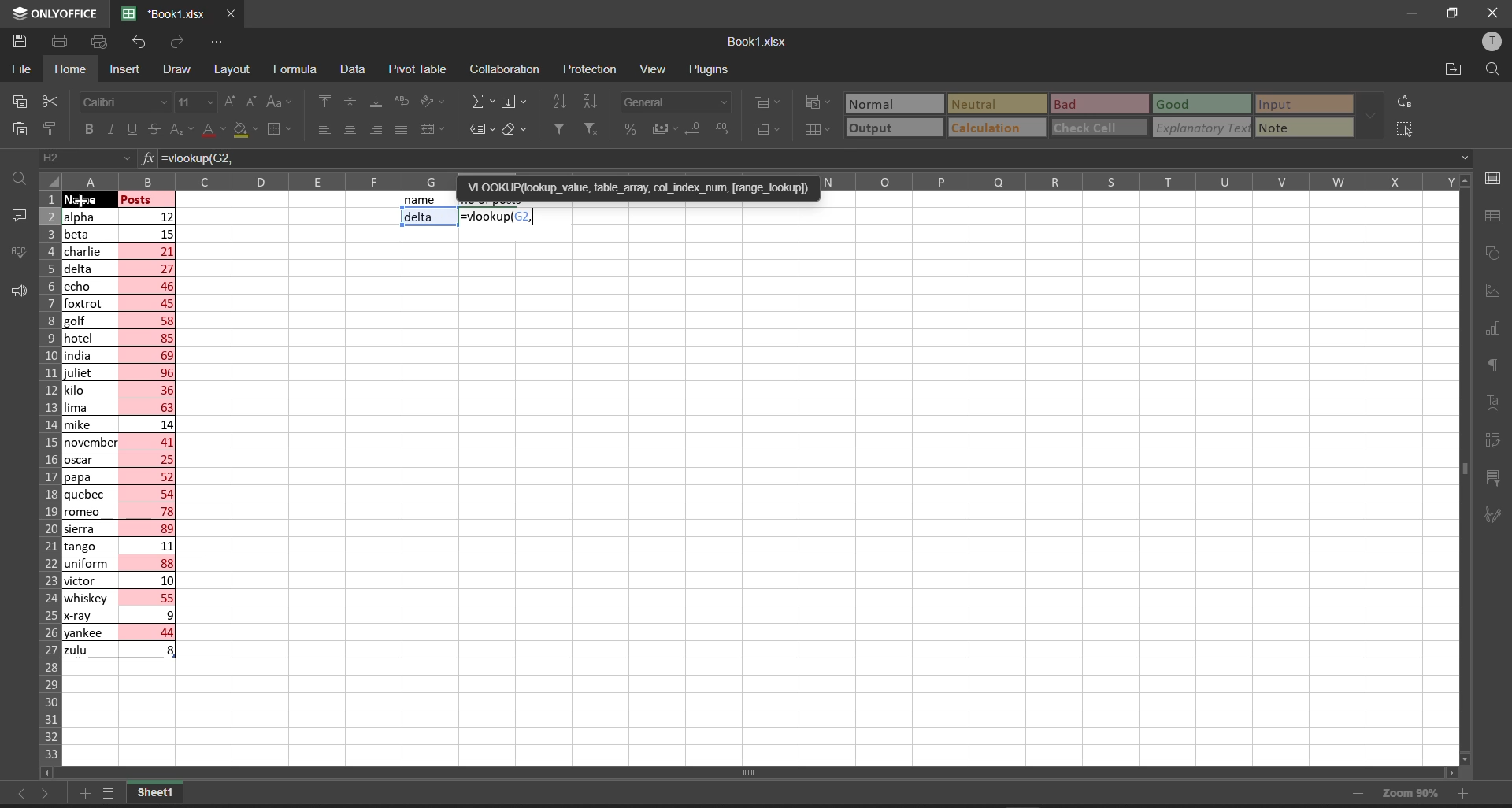 The image size is (1512, 808). What do you see at coordinates (817, 129) in the screenshot?
I see `format as table` at bounding box center [817, 129].